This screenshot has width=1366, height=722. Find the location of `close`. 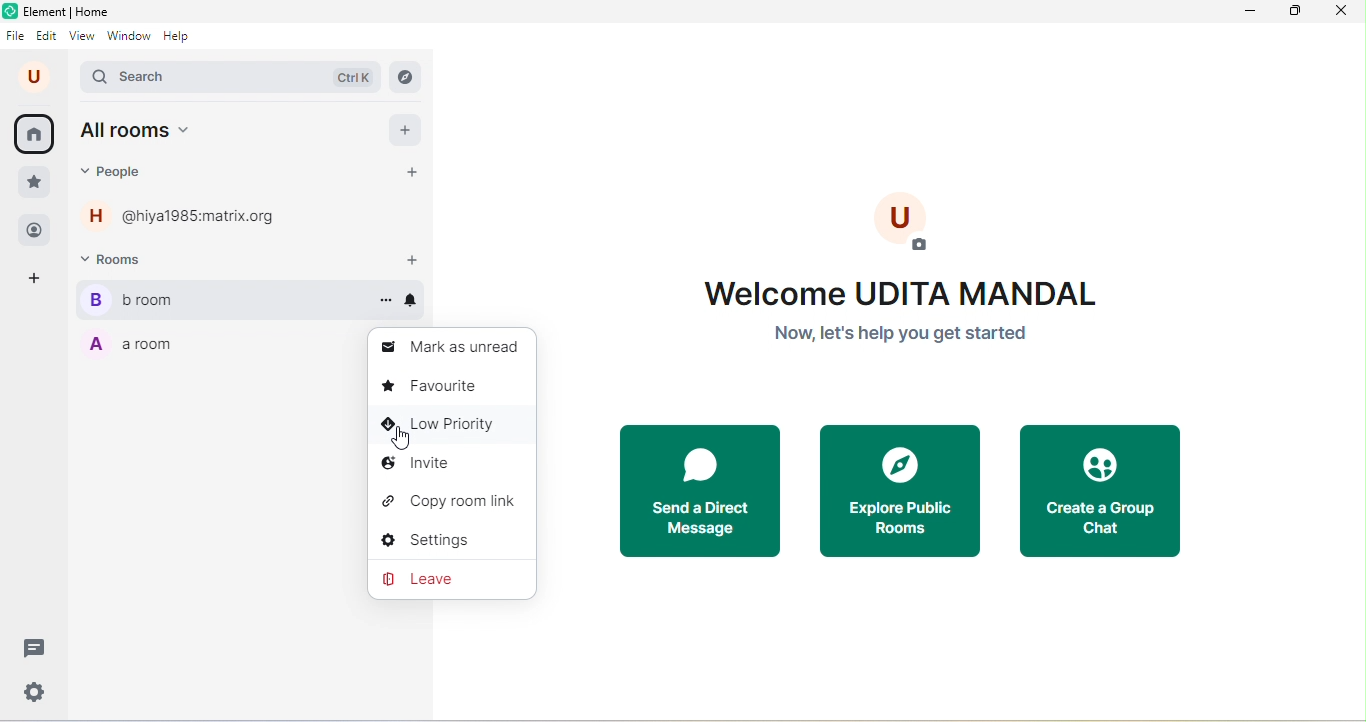

close is located at coordinates (1340, 11).